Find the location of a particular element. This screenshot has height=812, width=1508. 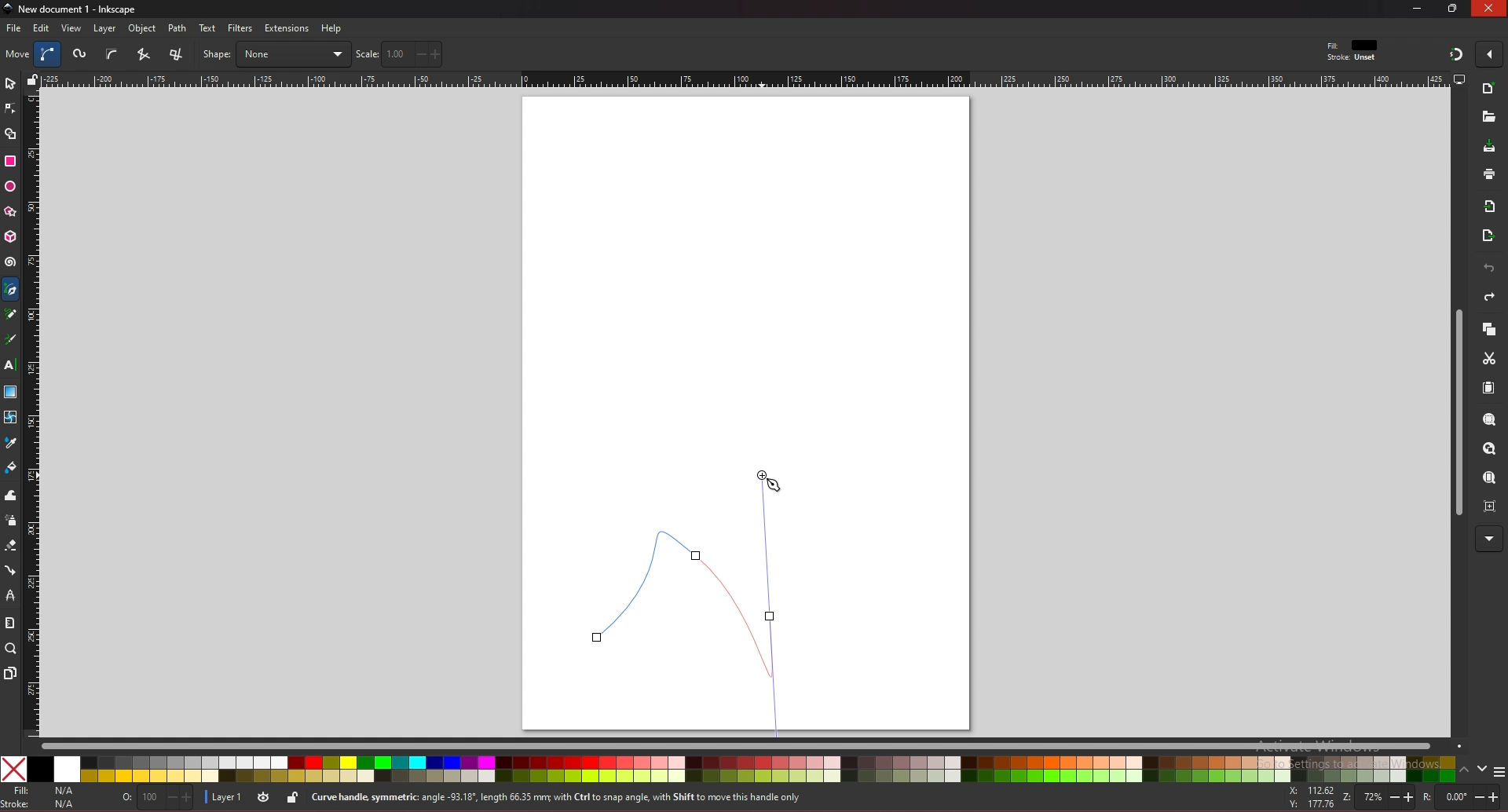

tweak is located at coordinates (11, 495).